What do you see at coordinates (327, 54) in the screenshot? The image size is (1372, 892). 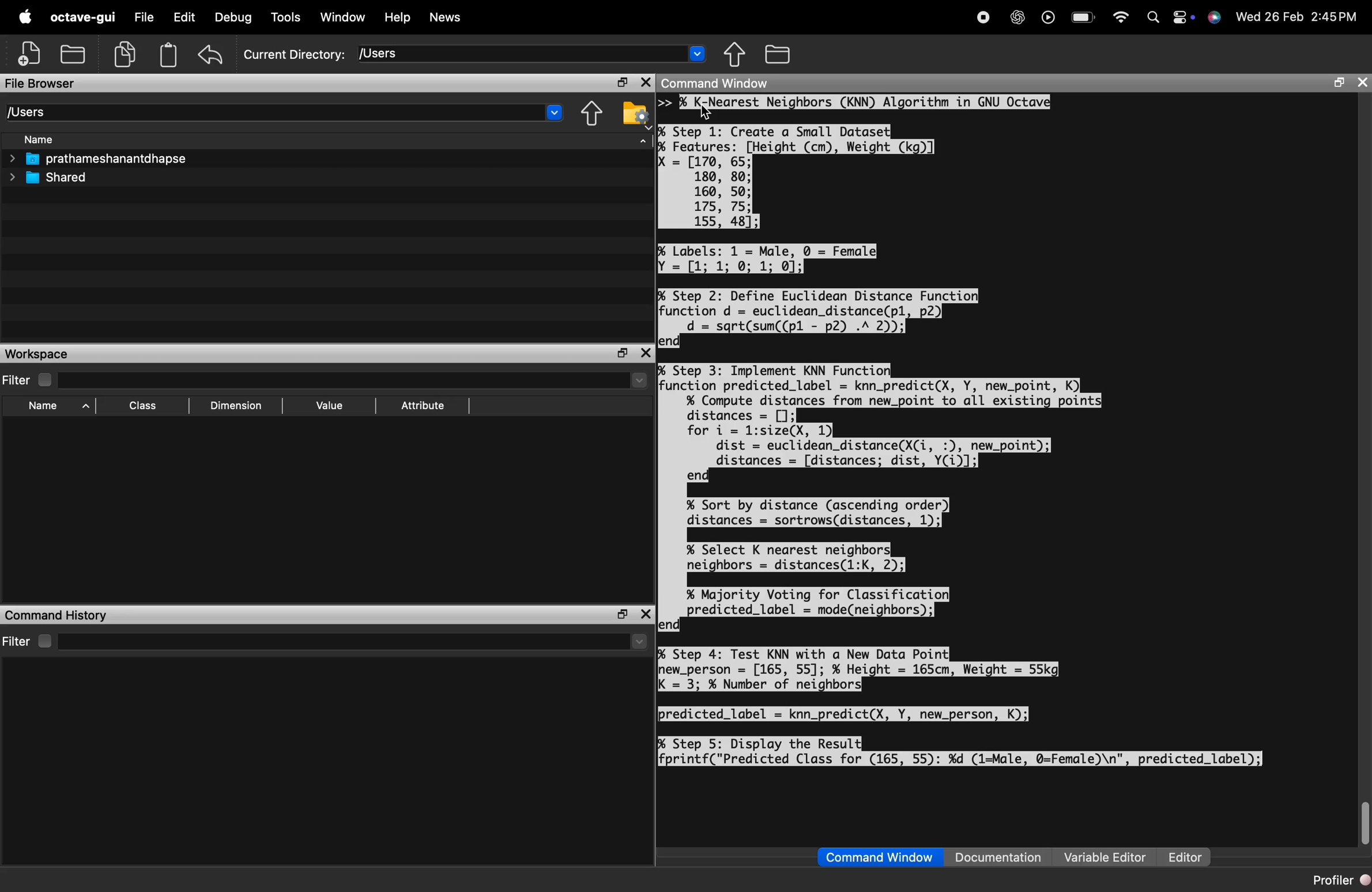 I see `Current Directory: [Users` at bounding box center [327, 54].